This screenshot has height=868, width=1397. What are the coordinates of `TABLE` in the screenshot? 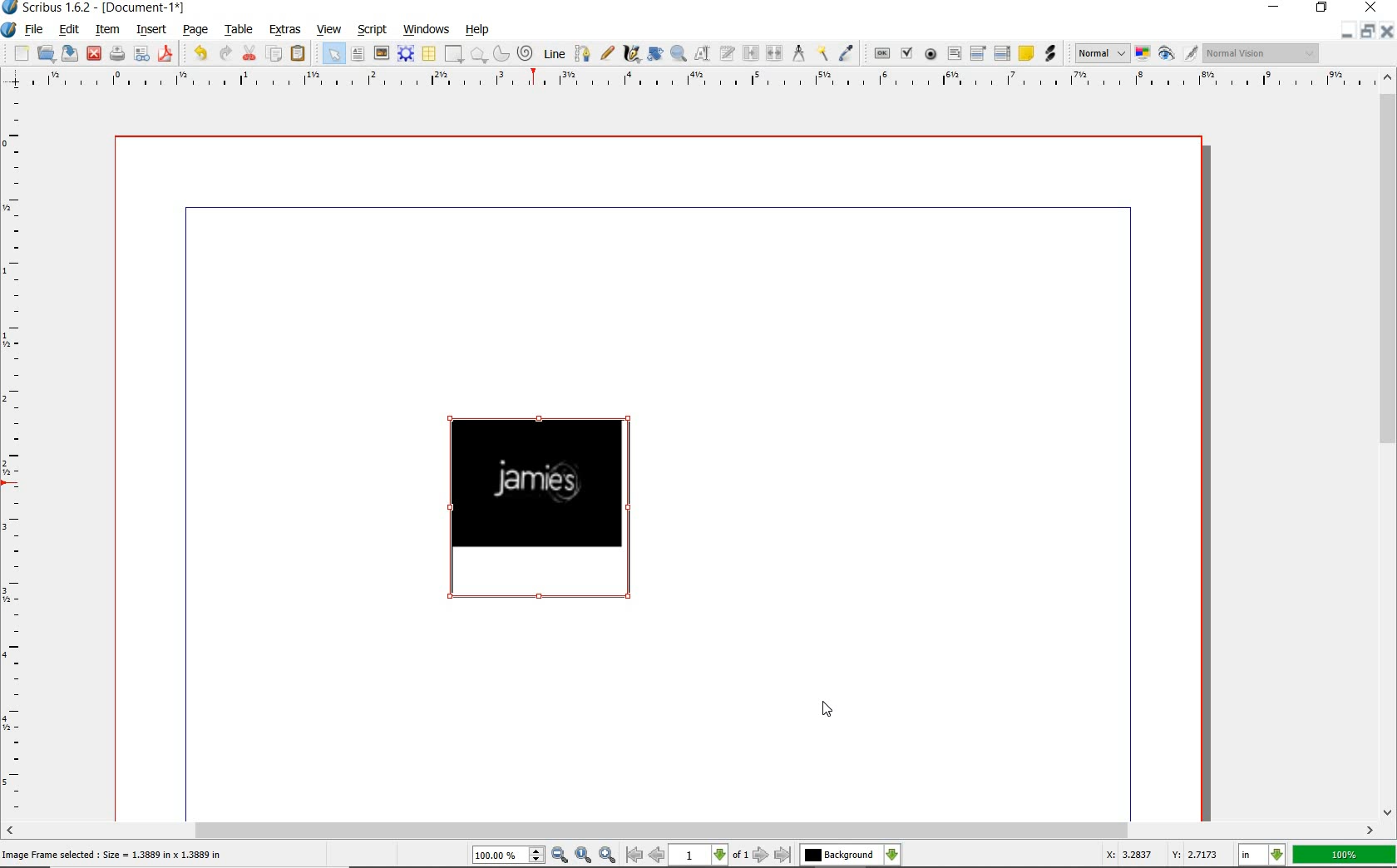 It's located at (428, 54).